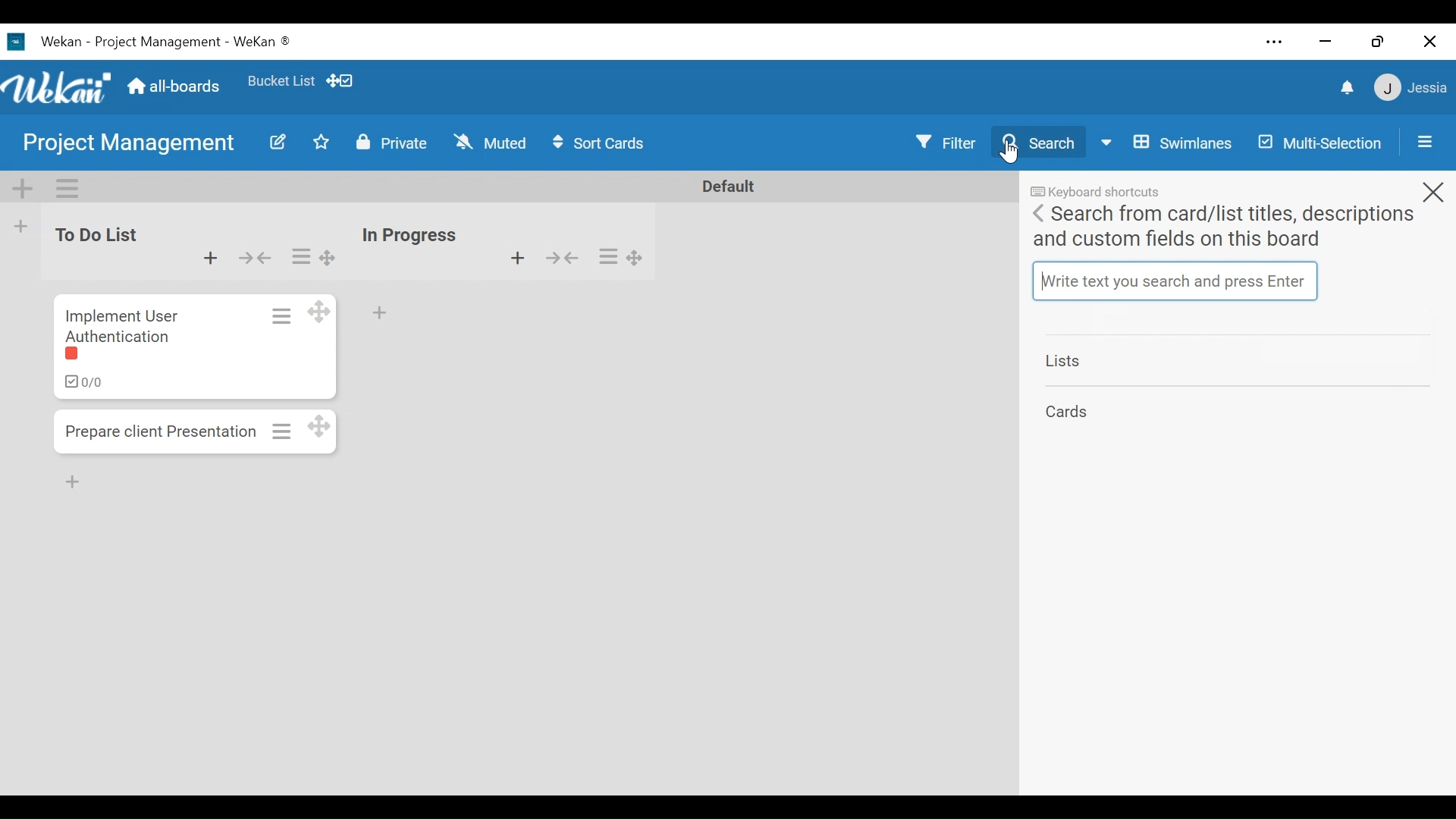 The width and height of the screenshot is (1456, 819). What do you see at coordinates (83, 382) in the screenshot?
I see `ckecklist` at bounding box center [83, 382].